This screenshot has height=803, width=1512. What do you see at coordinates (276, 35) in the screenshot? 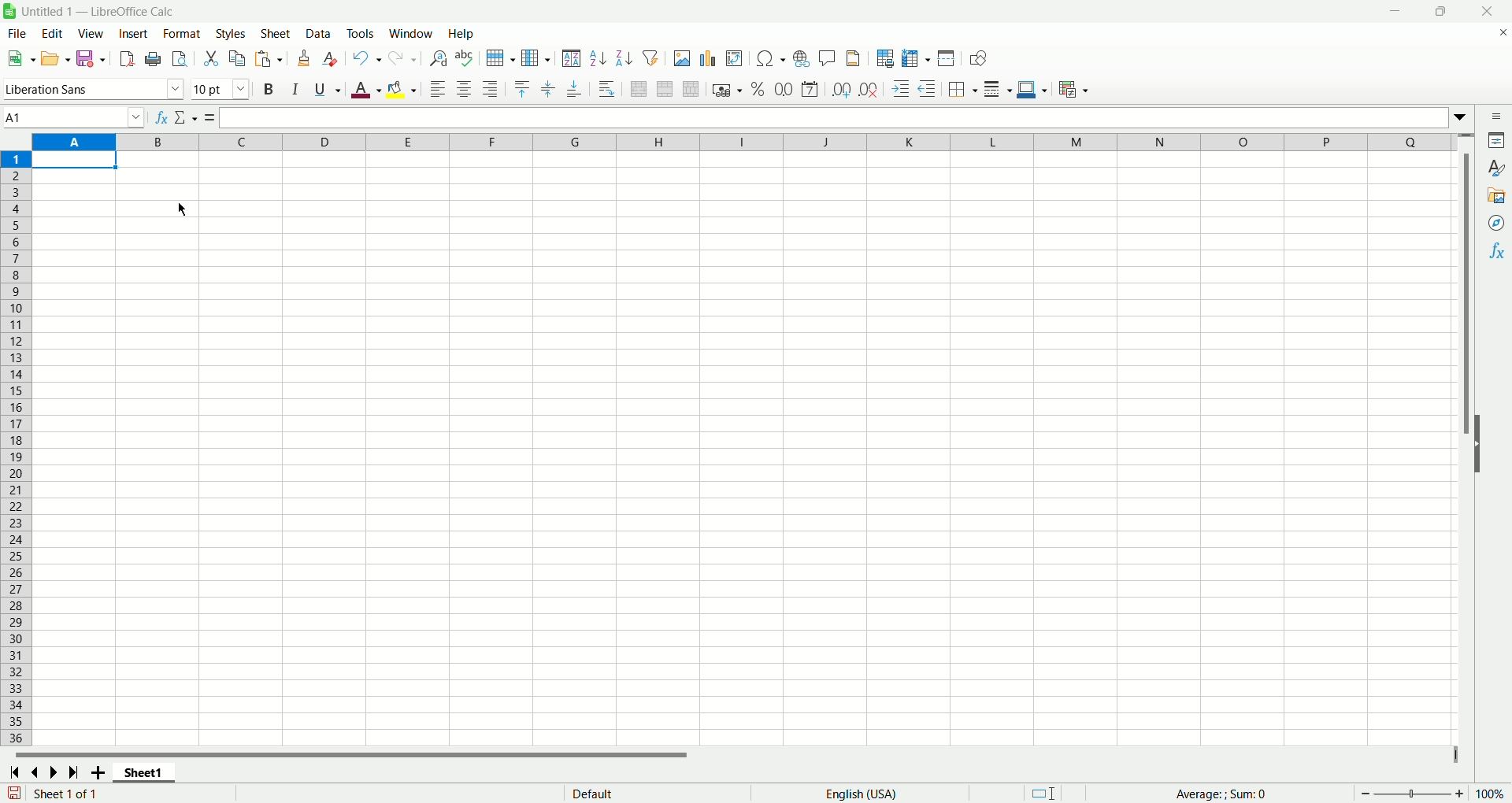
I see `sheet` at bounding box center [276, 35].